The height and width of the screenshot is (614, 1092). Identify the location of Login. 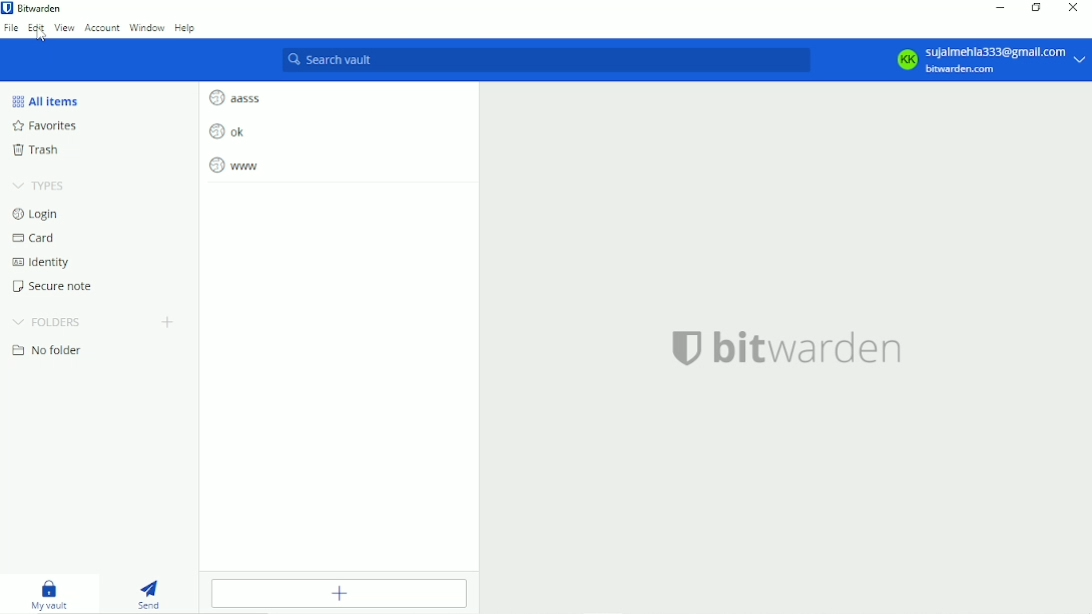
(40, 214).